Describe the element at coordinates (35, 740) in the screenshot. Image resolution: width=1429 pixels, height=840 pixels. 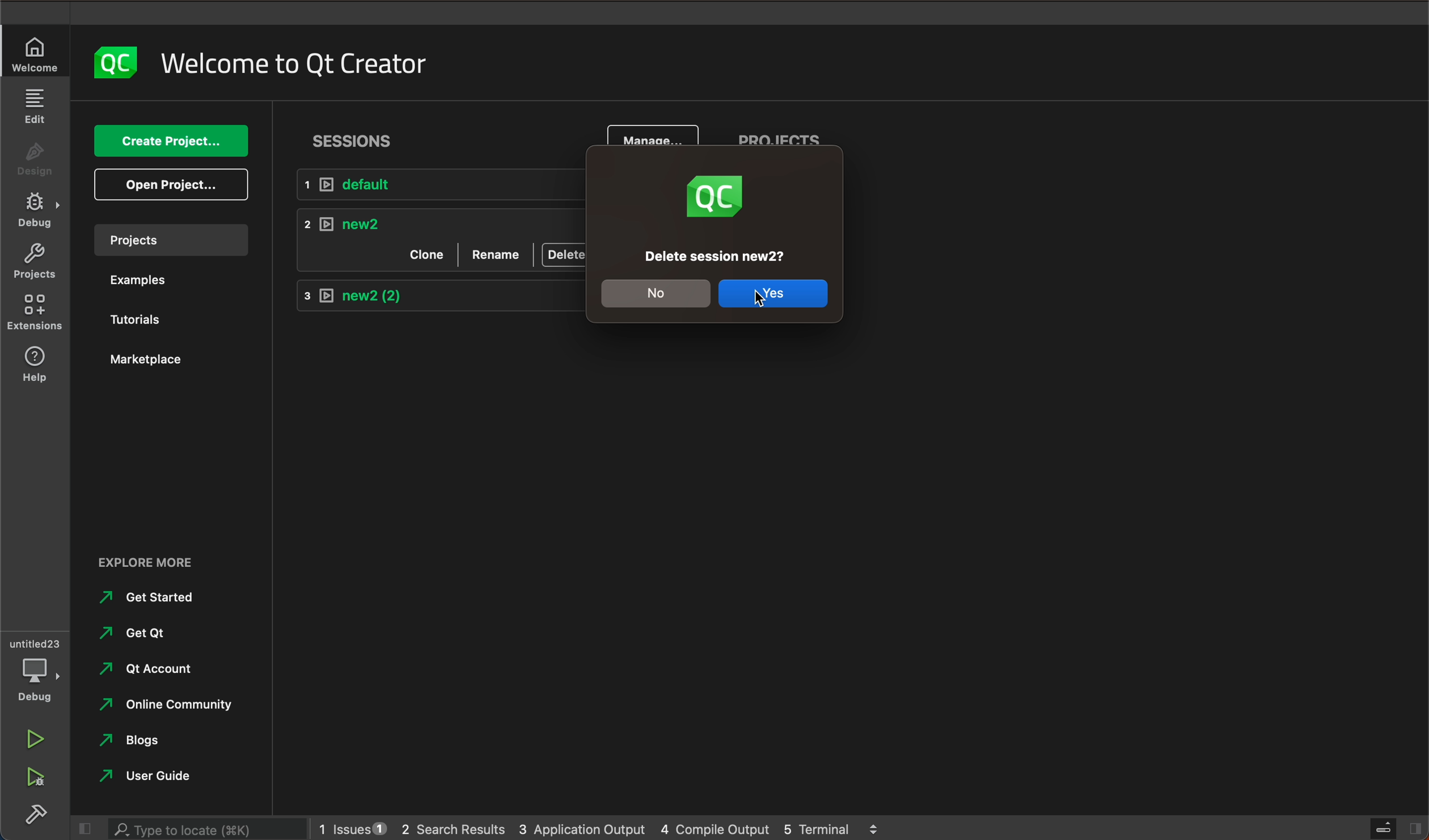
I see `run` at that location.